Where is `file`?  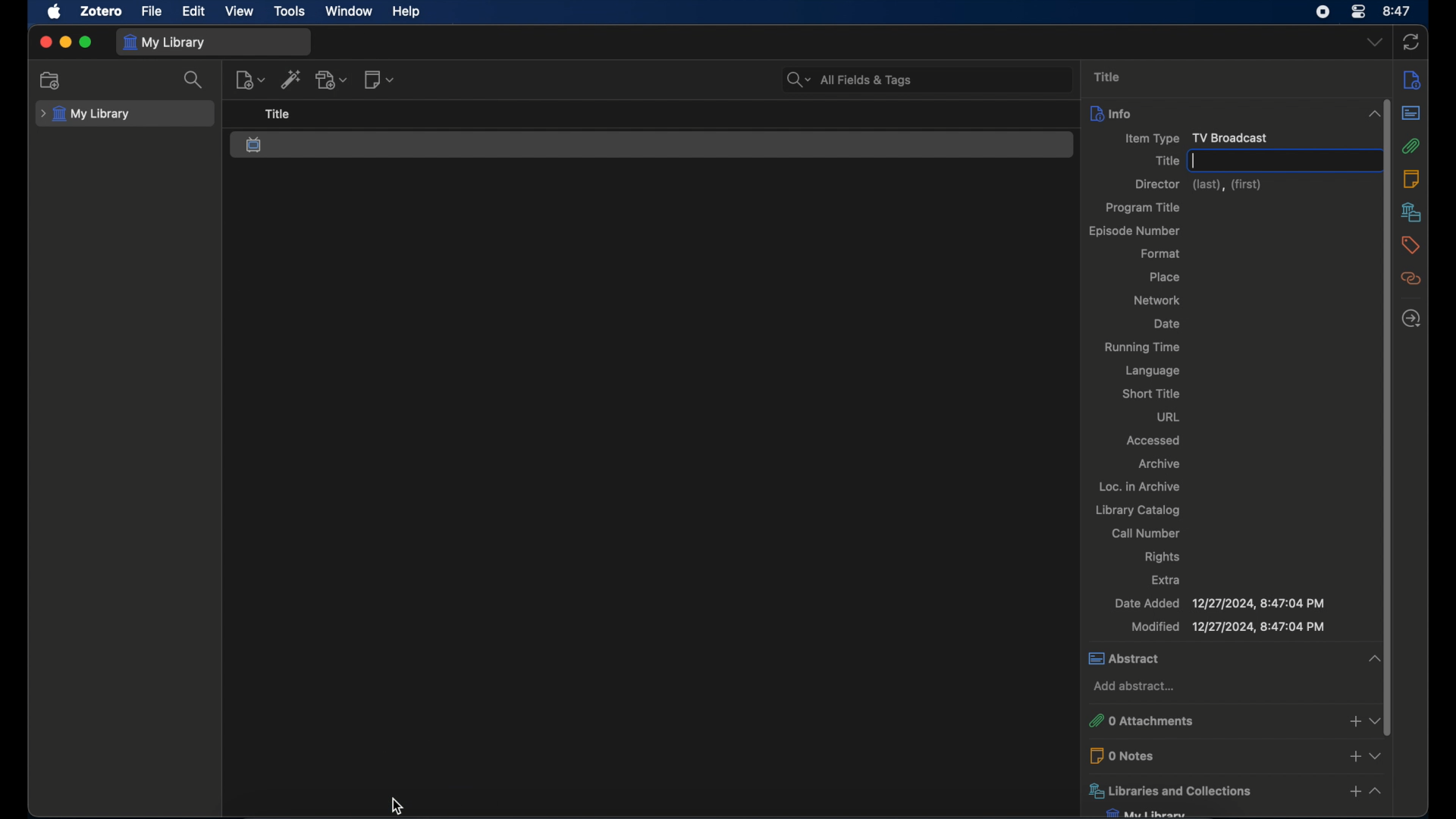
file is located at coordinates (152, 12).